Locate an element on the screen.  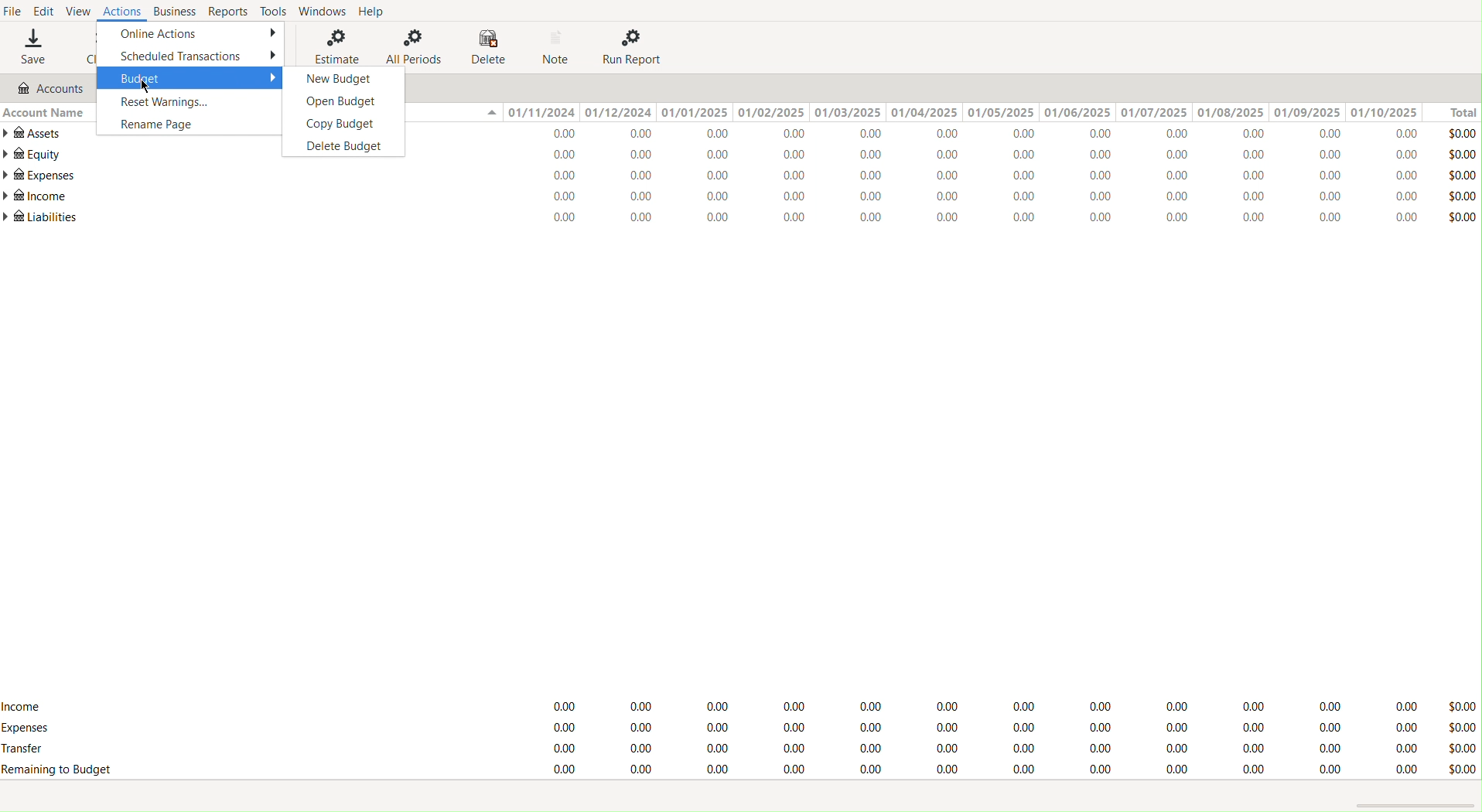
Assets is located at coordinates (36, 133).